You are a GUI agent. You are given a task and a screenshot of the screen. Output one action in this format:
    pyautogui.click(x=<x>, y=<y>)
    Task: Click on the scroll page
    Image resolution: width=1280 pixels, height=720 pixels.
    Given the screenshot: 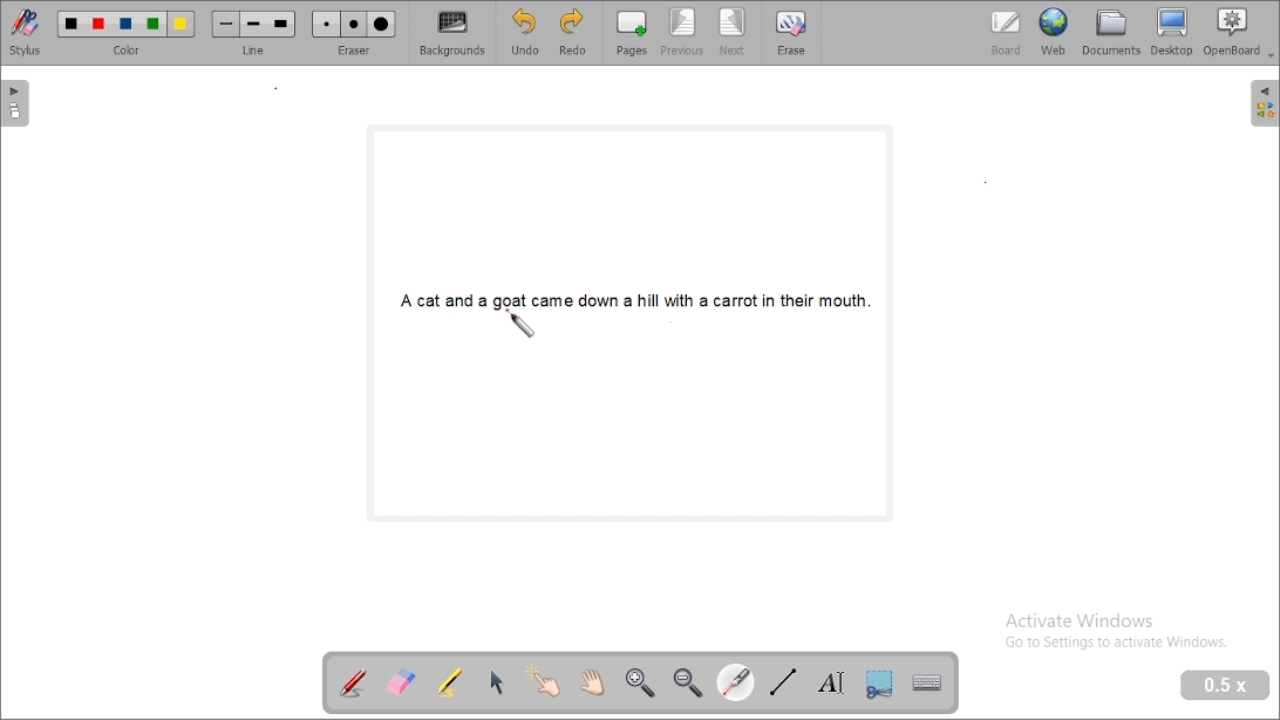 What is the action you would take?
    pyautogui.click(x=593, y=683)
    